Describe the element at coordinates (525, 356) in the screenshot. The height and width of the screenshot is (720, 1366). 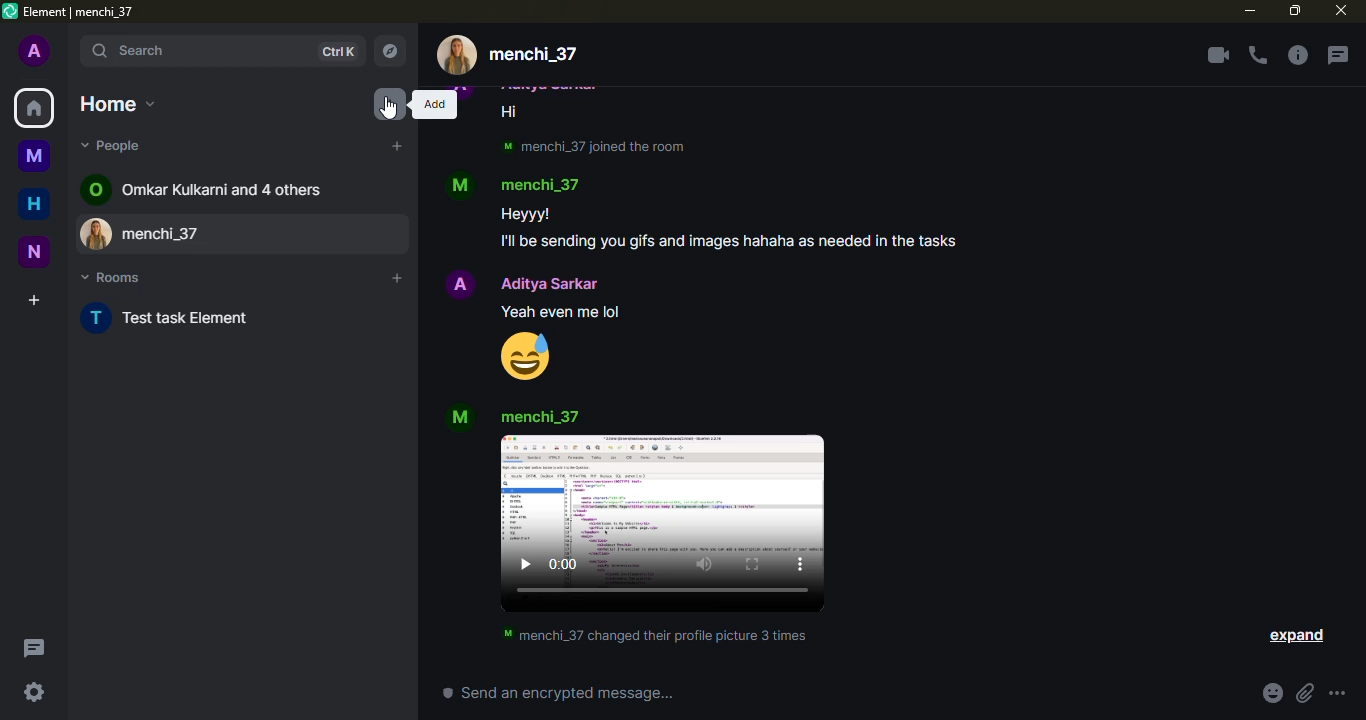
I see `Emoji` at that location.